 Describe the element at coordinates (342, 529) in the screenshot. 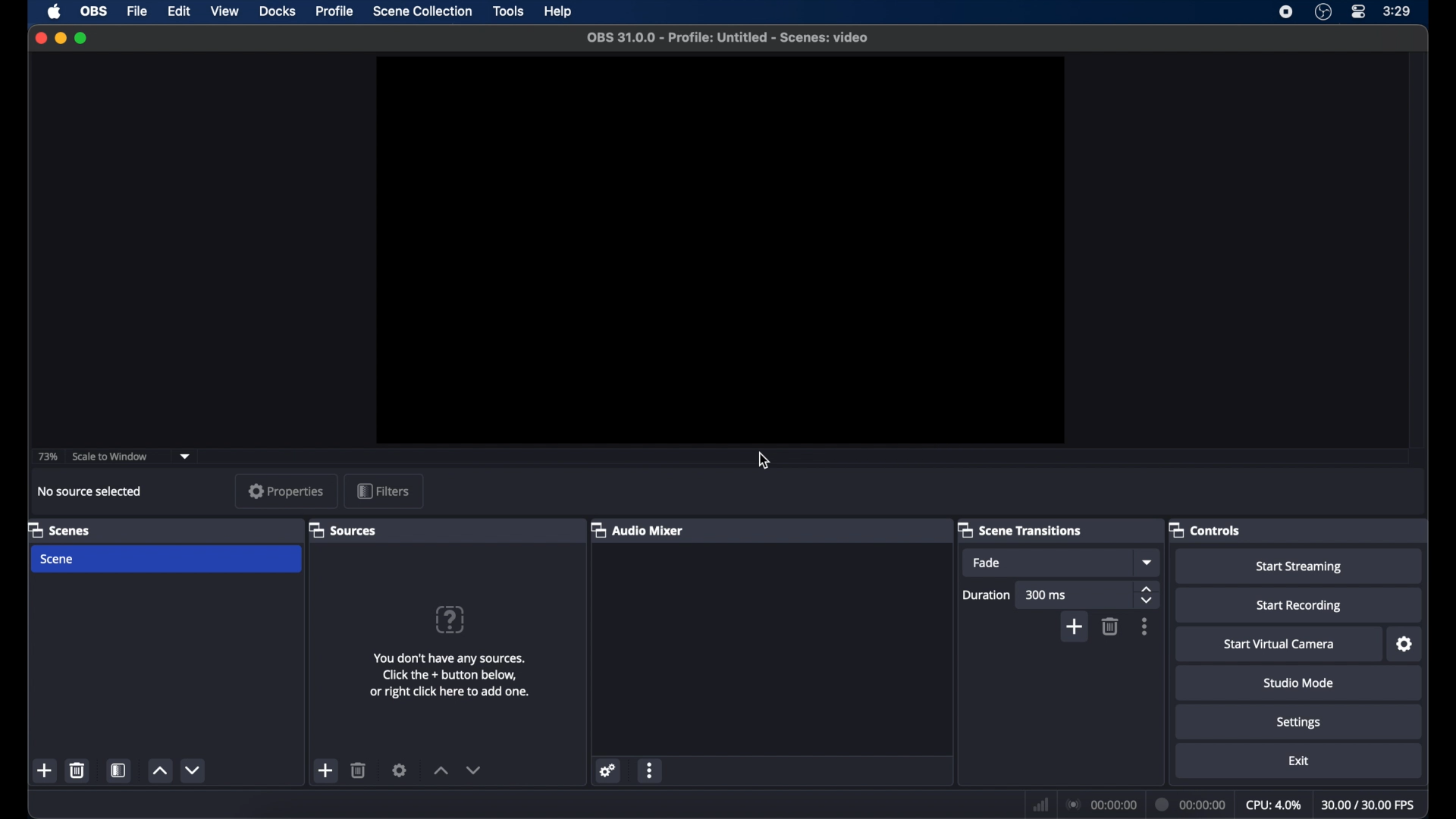

I see `sources` at that location.